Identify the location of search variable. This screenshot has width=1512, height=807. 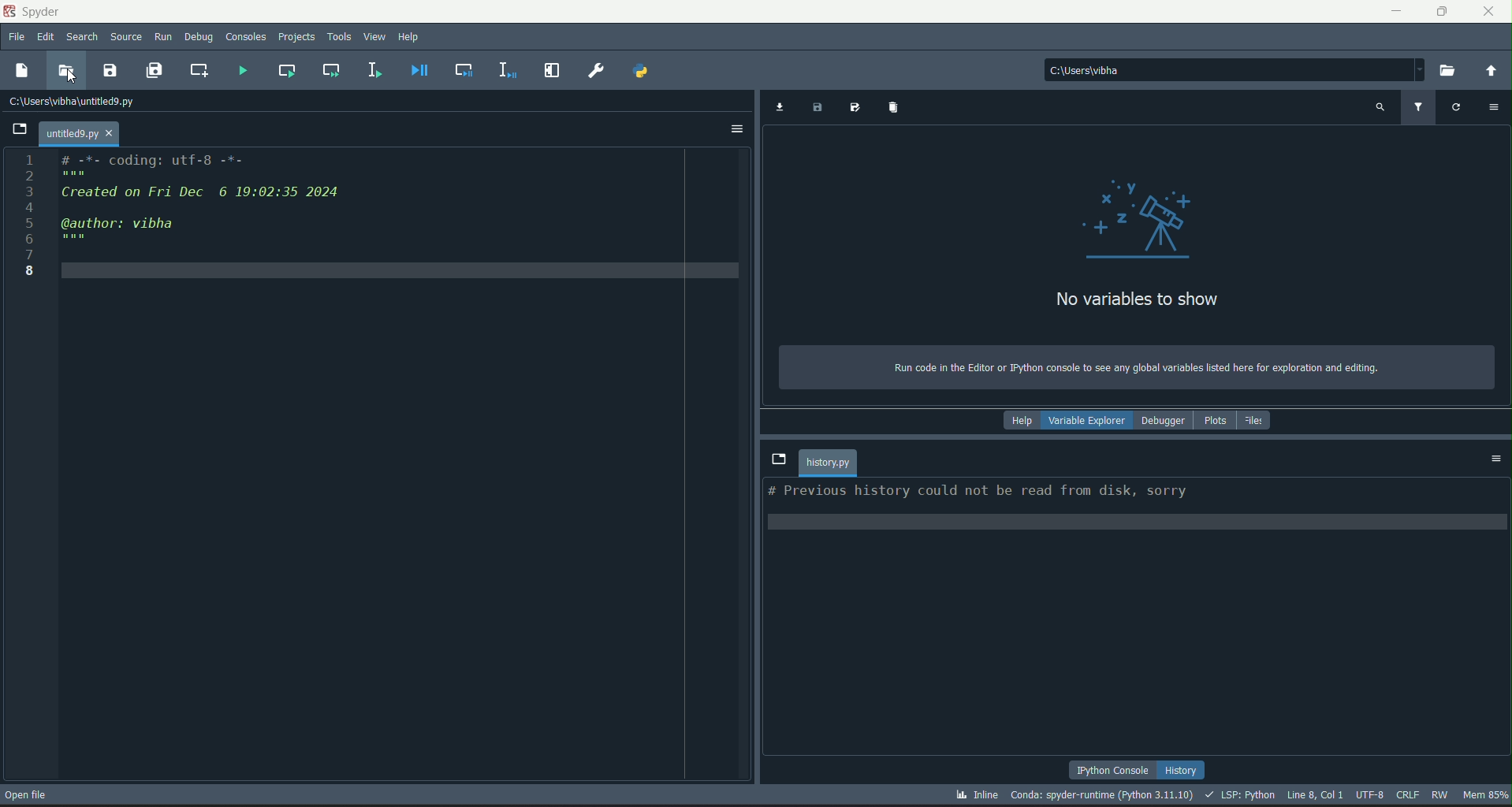
(1378, 108).